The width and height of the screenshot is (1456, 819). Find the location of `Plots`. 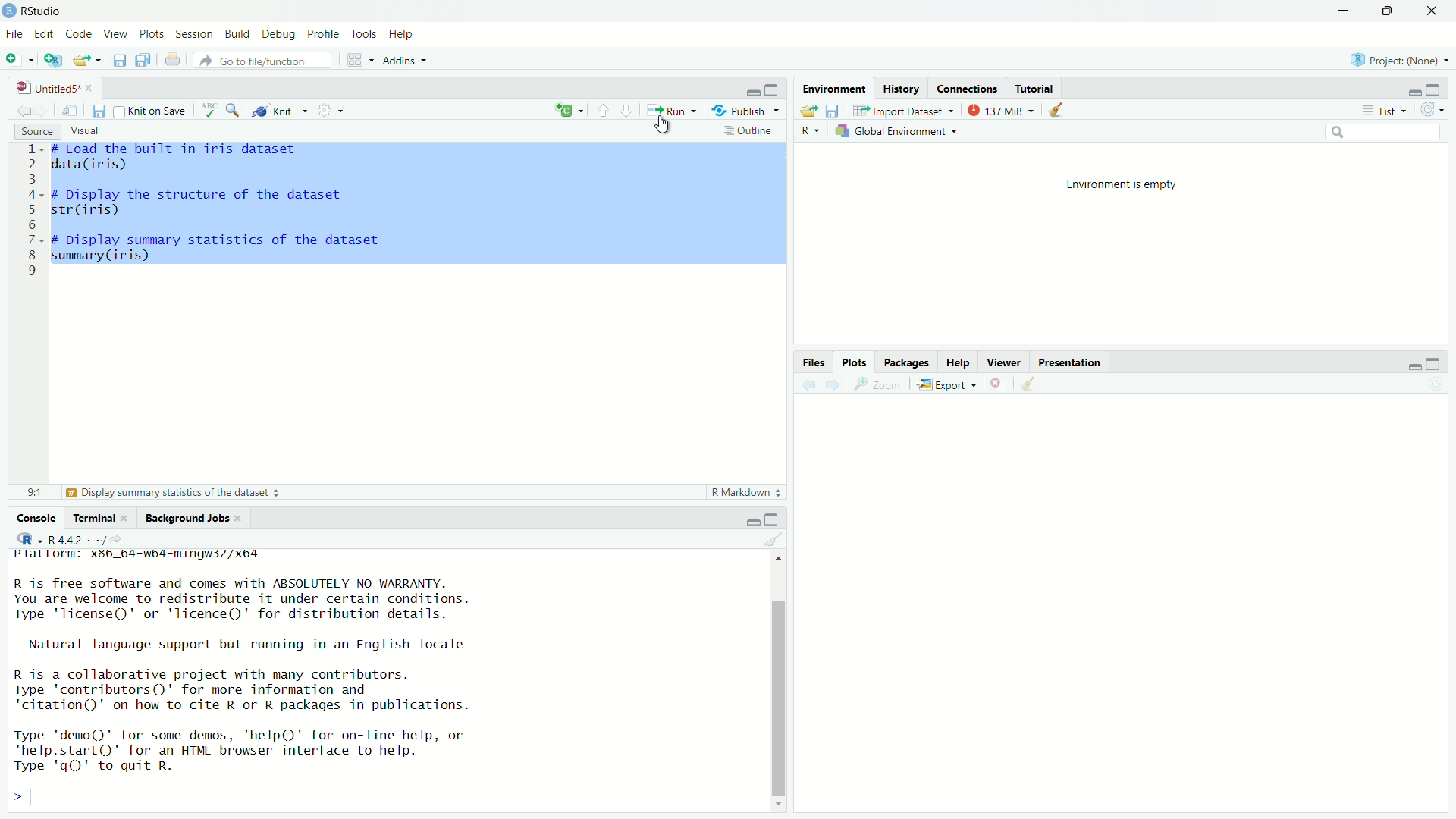

Plots is located at coordinates (855, 362).